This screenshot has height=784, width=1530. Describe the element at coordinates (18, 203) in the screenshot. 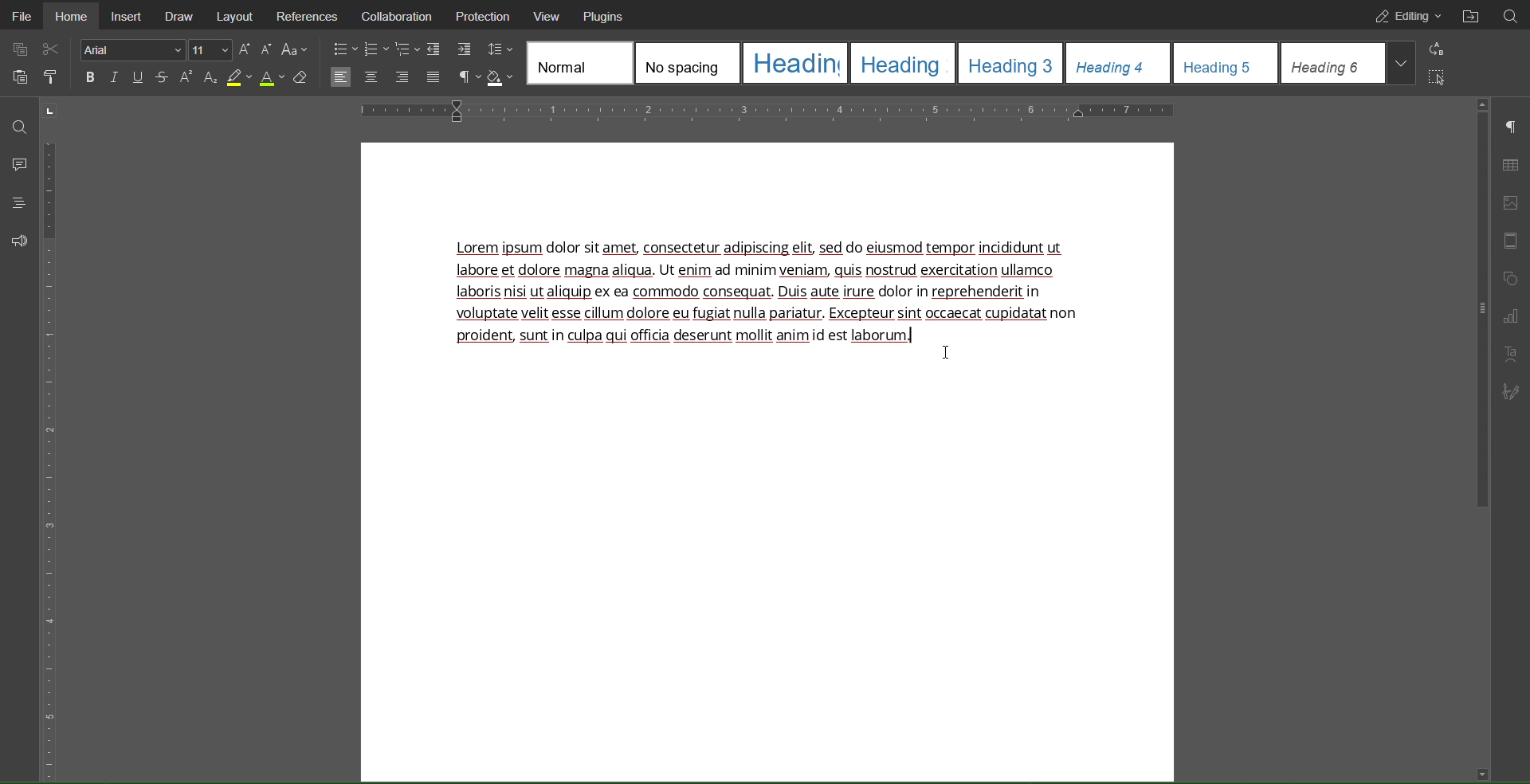

I see `Headings` at that location.